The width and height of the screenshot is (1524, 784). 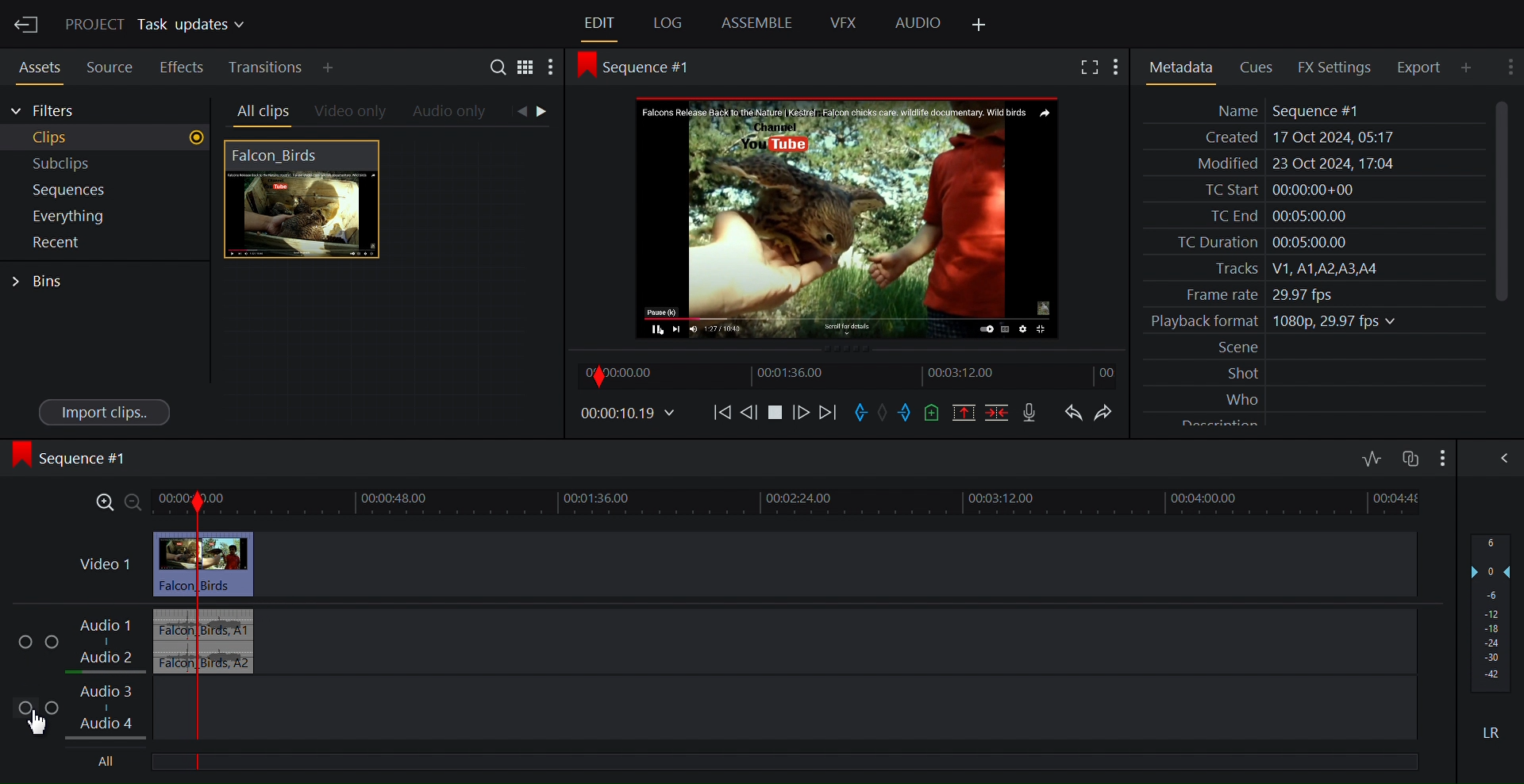 I want to click on Clip Thumbnail, so click(x=383, y=285).